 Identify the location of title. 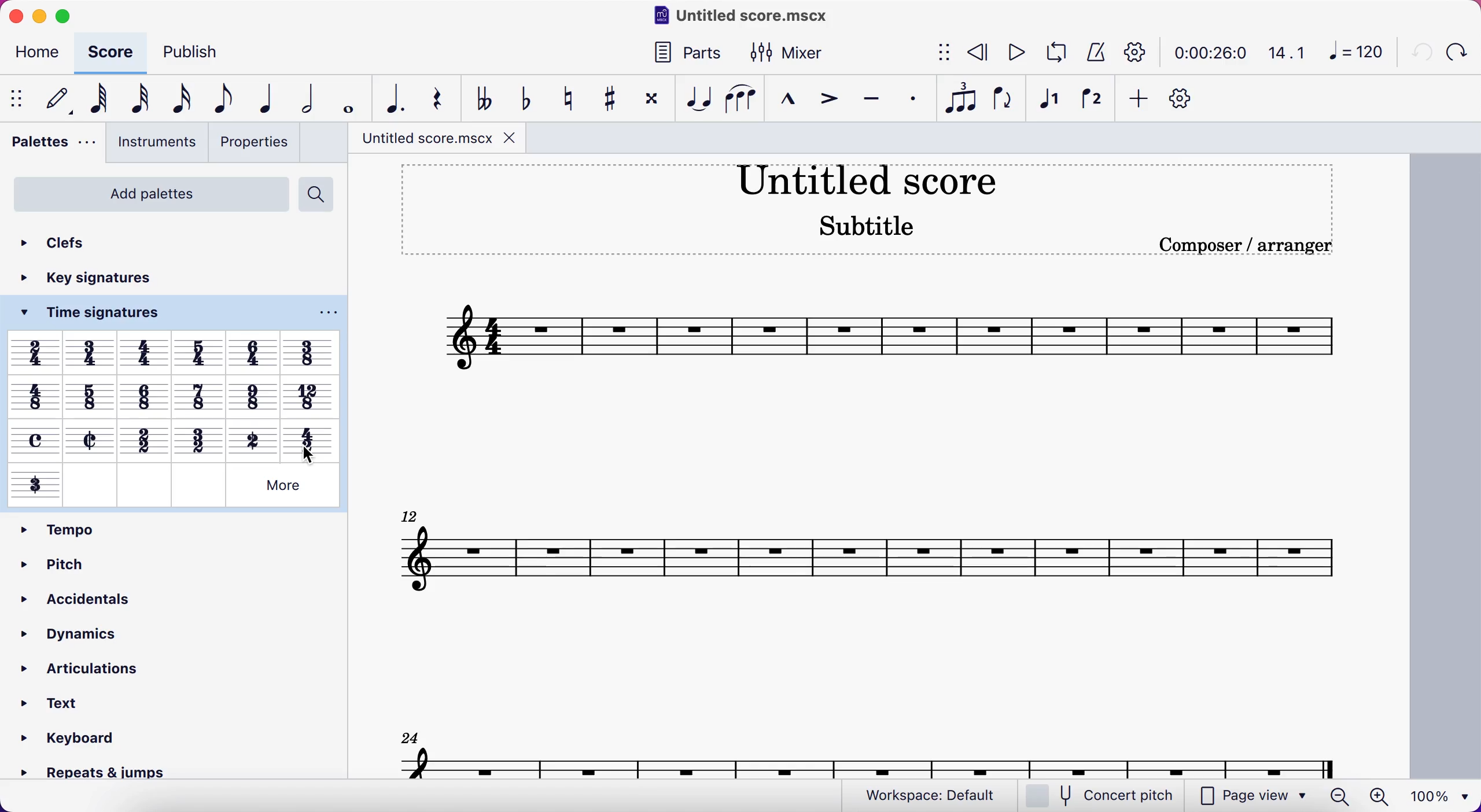
(418, 140).